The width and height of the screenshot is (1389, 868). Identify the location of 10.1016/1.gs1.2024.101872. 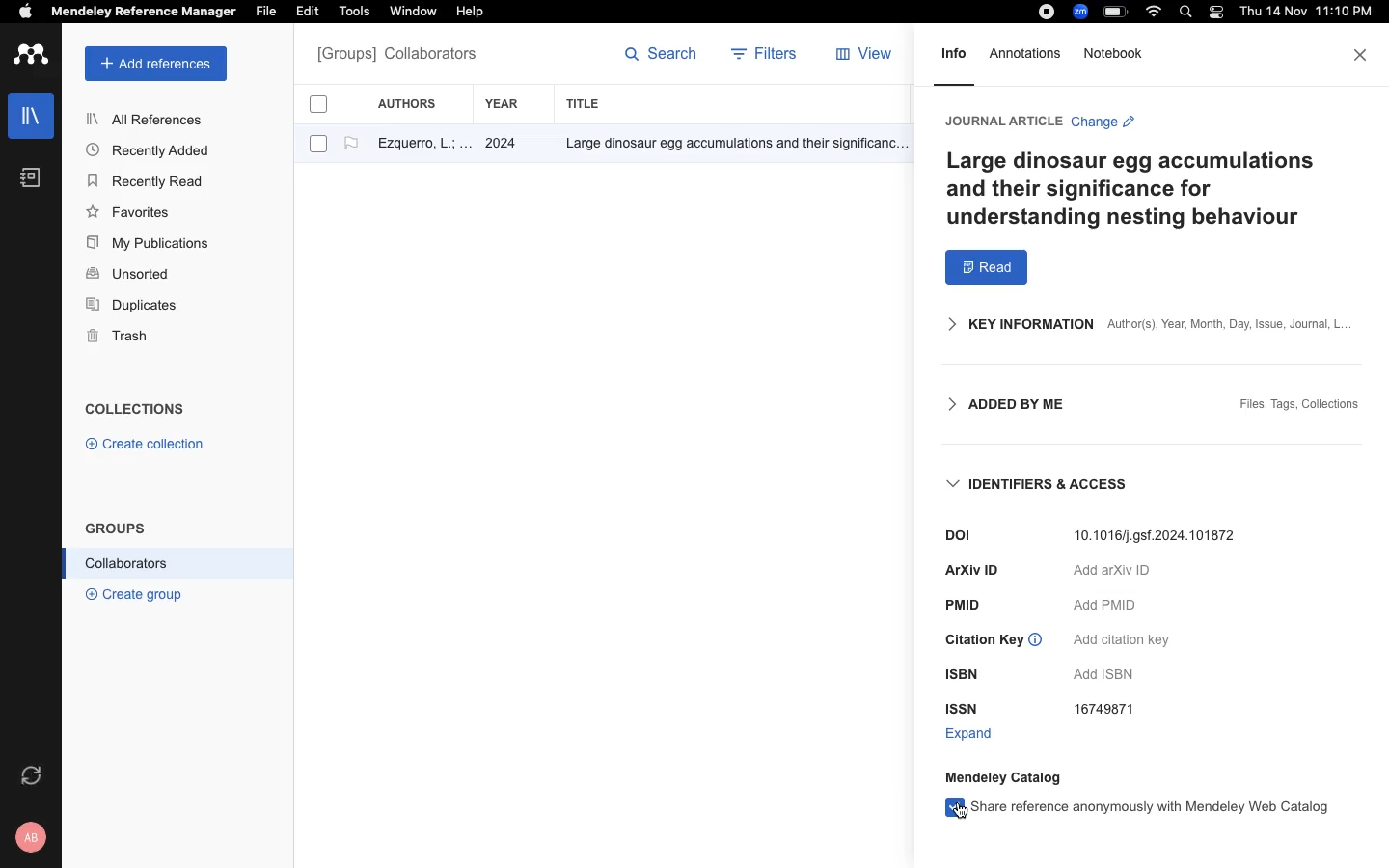
(1161, 535).